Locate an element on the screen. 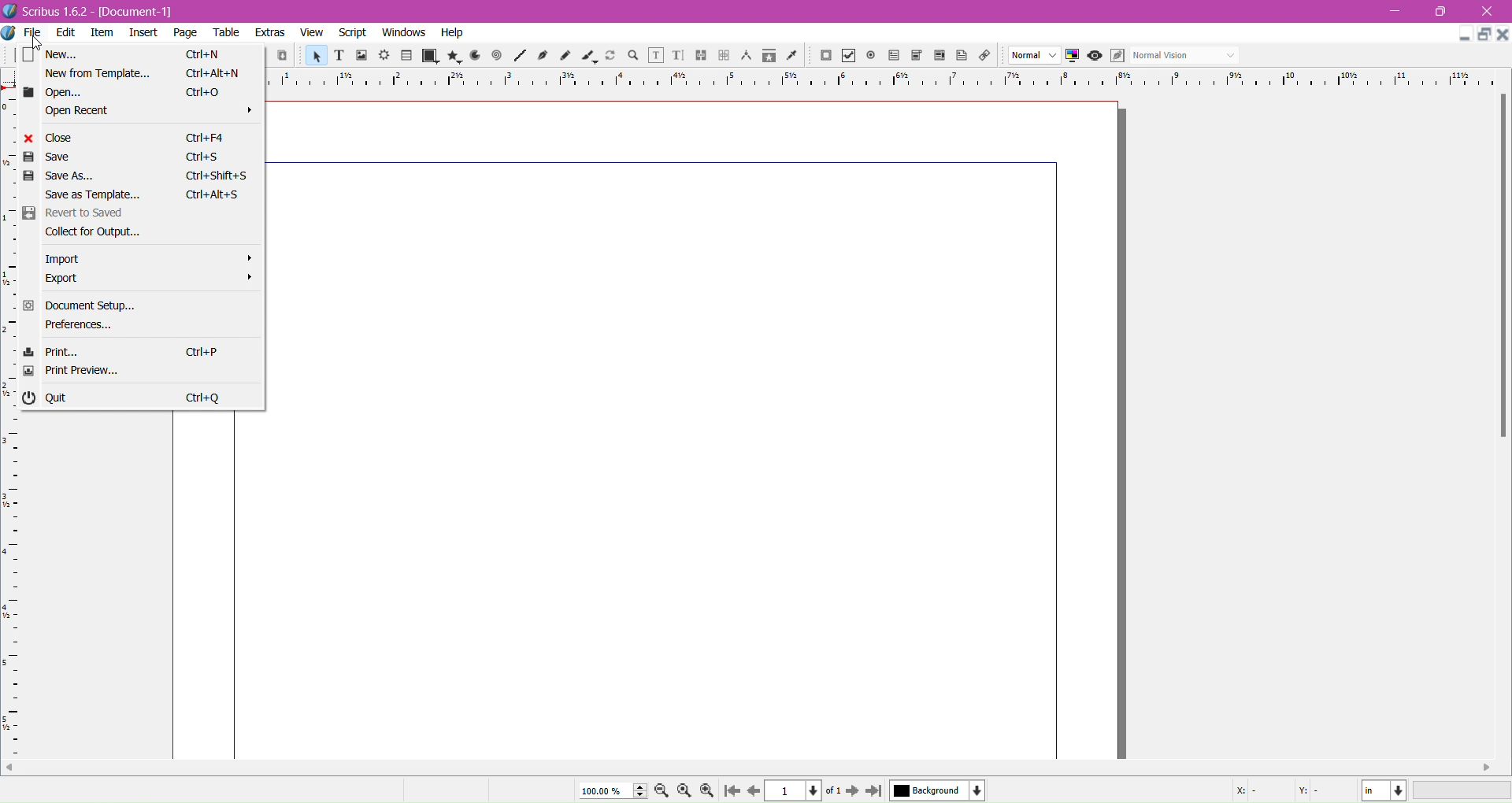 This screenshot has width=1512, height=803. Toggle Color Management System is located at coordinates (1073, 56).